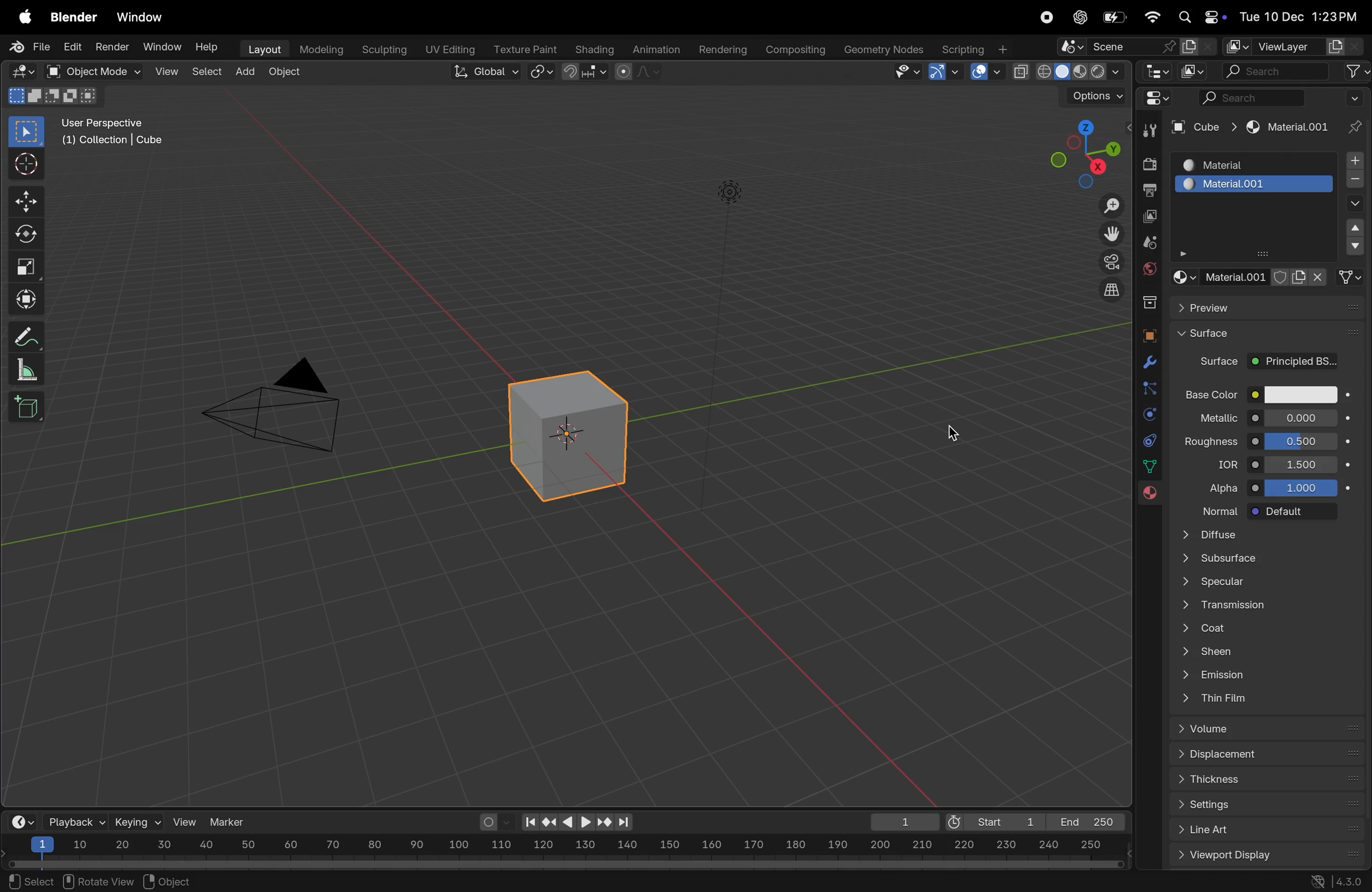 The width and height of the screenshot is (1372, 892). Describe the element at coordinates (900, 822) in the screenshot. I see `1` at that location.